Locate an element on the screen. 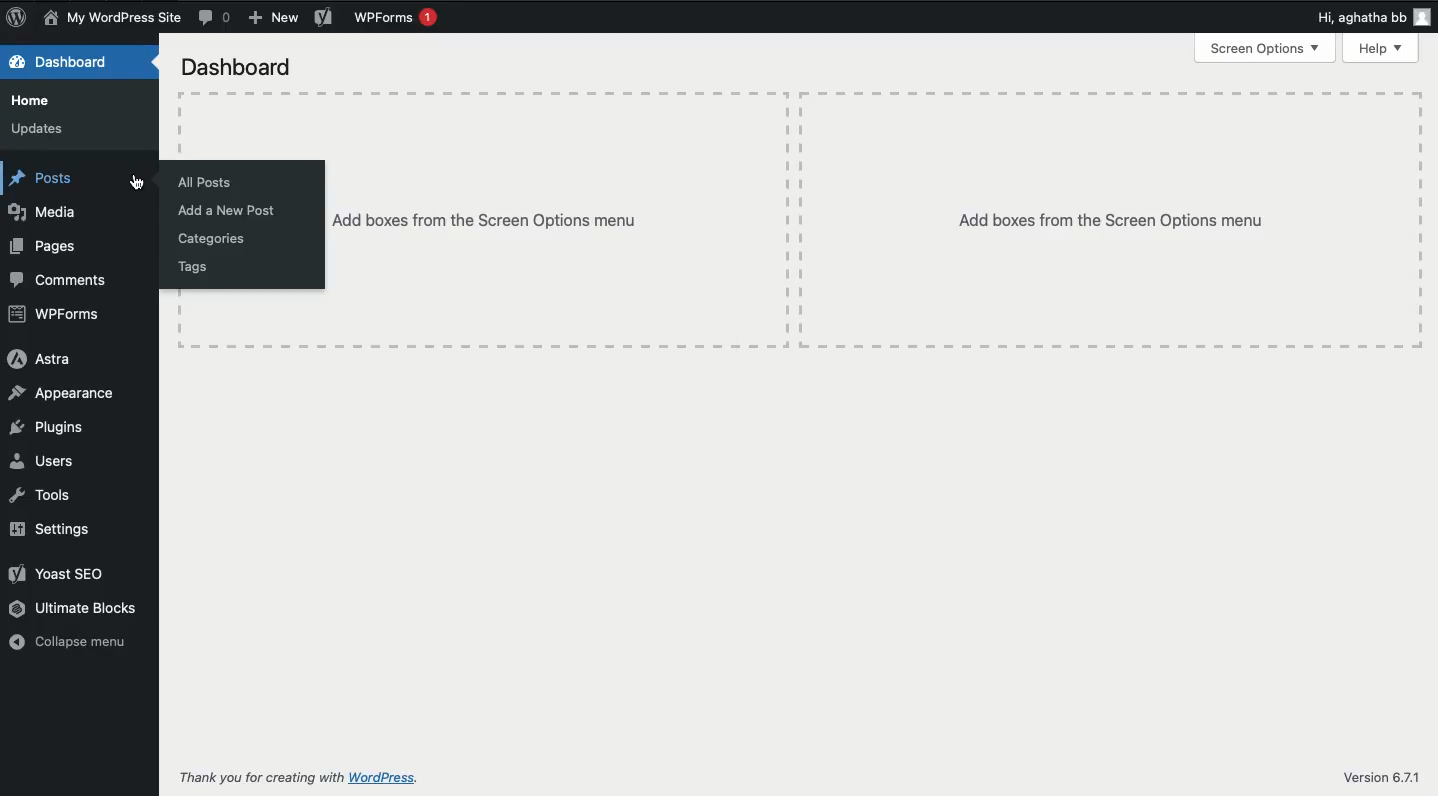 Image resolution: width=1438 pixels, height=796 pixels. New is located at coordinates (271, 17).